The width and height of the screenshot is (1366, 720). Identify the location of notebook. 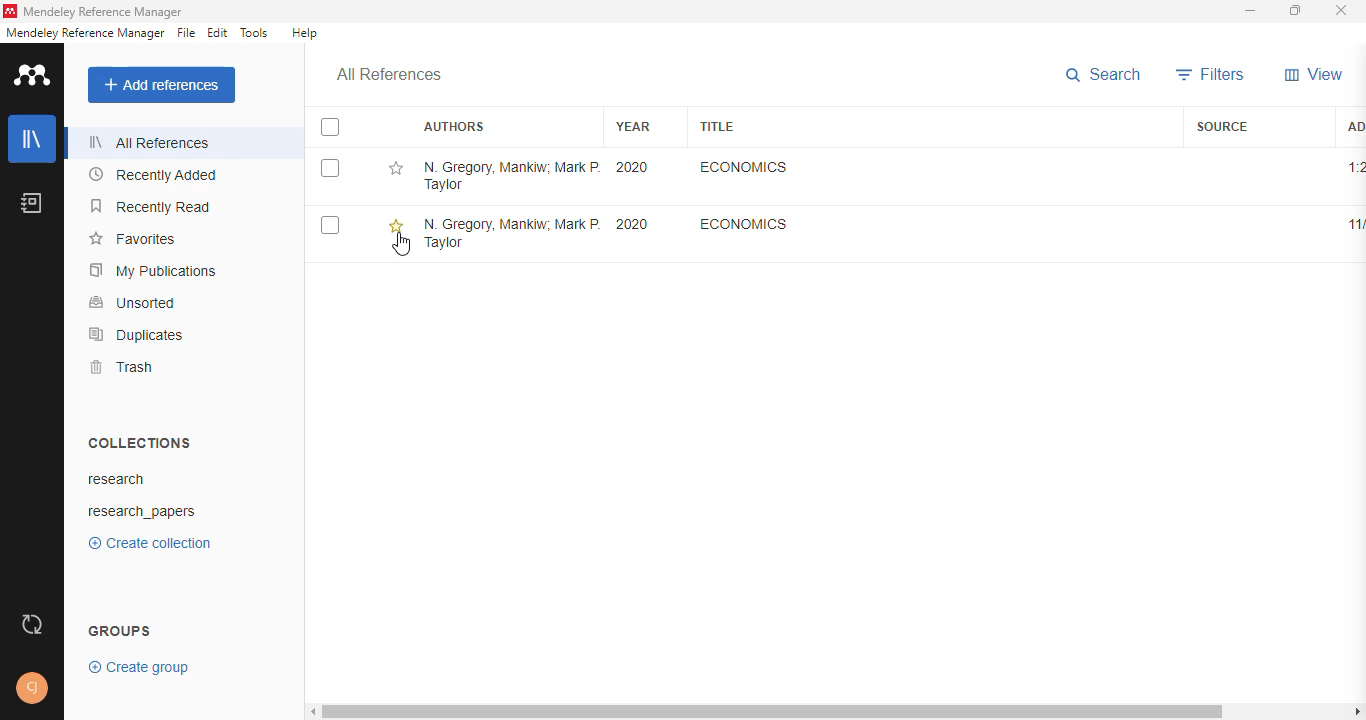
(31, 202).